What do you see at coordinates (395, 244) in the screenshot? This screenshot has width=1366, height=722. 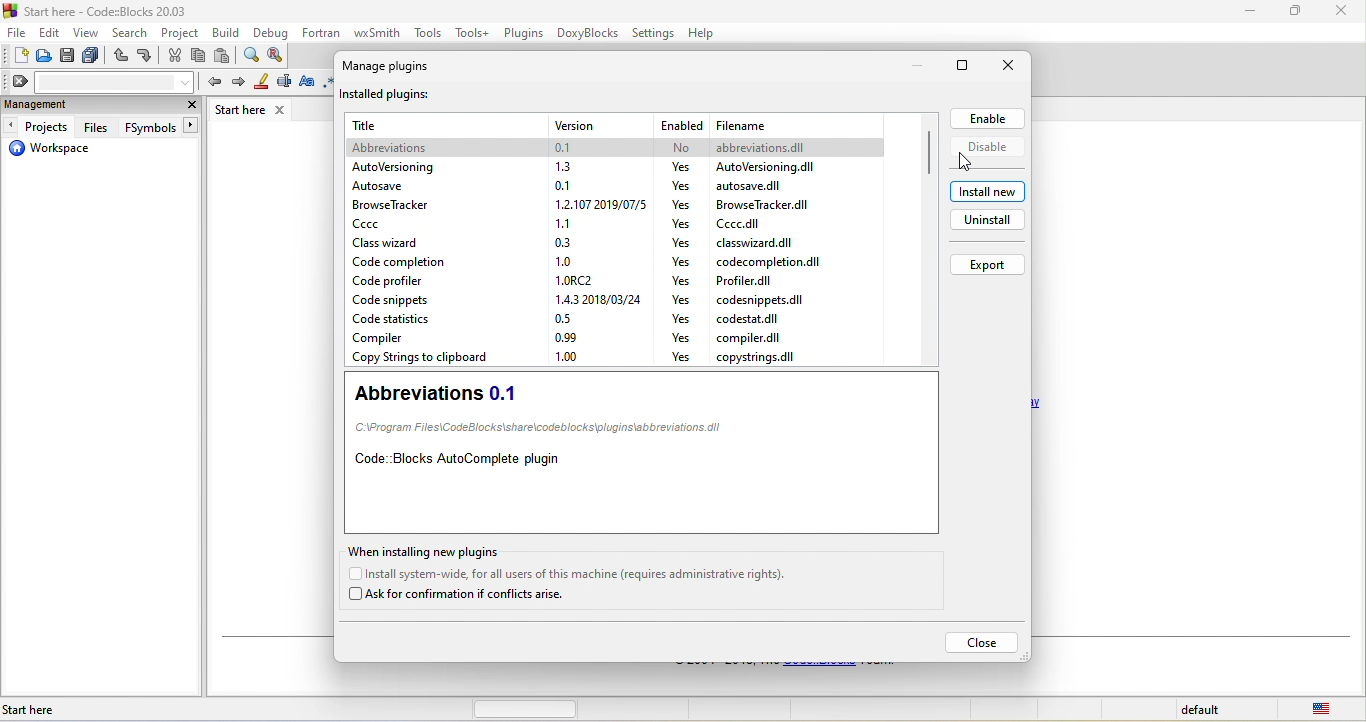 I see `class wizard` at bounding box center [395, 244].